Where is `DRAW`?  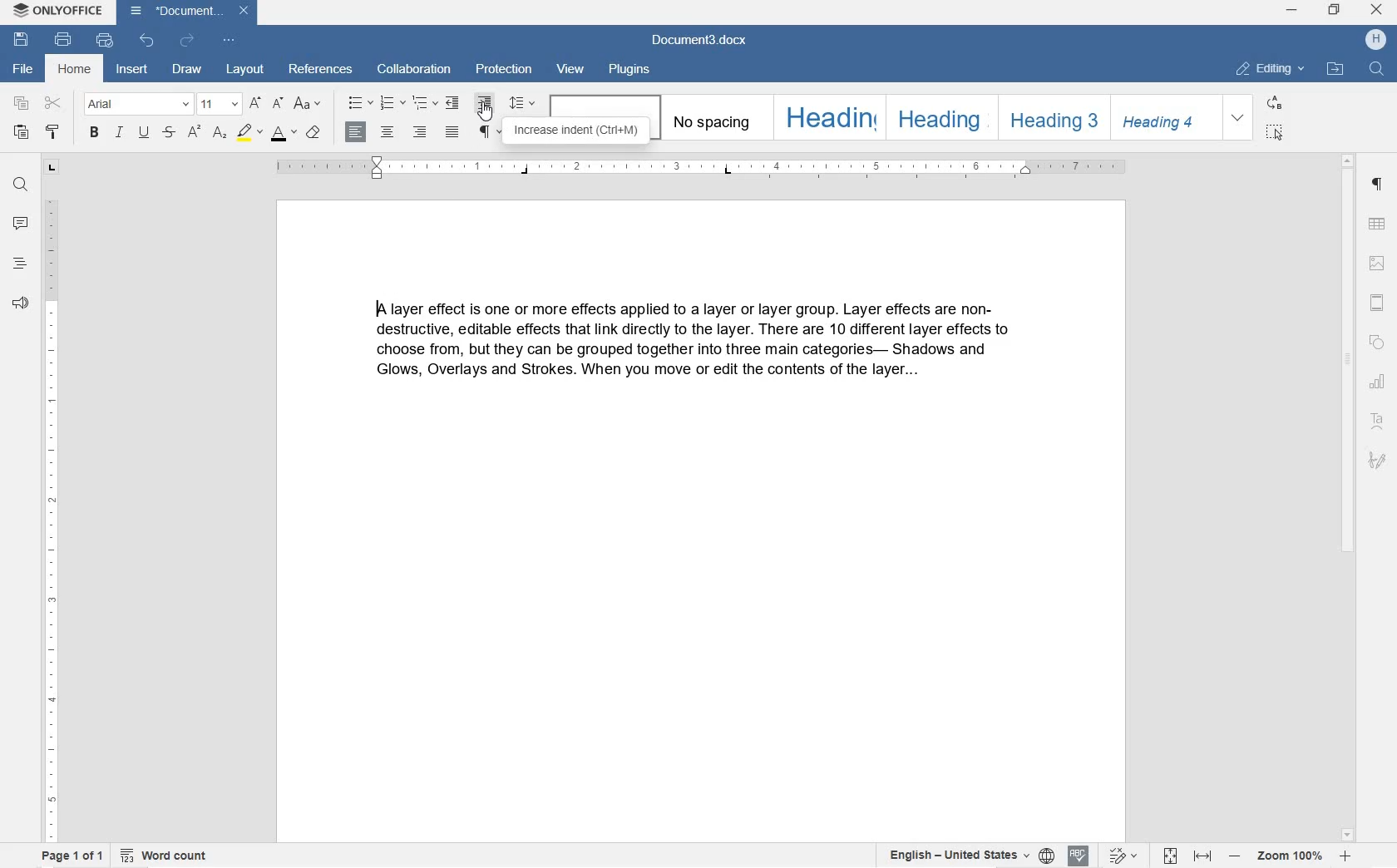 DRAW is located at coordinates (188, 68).